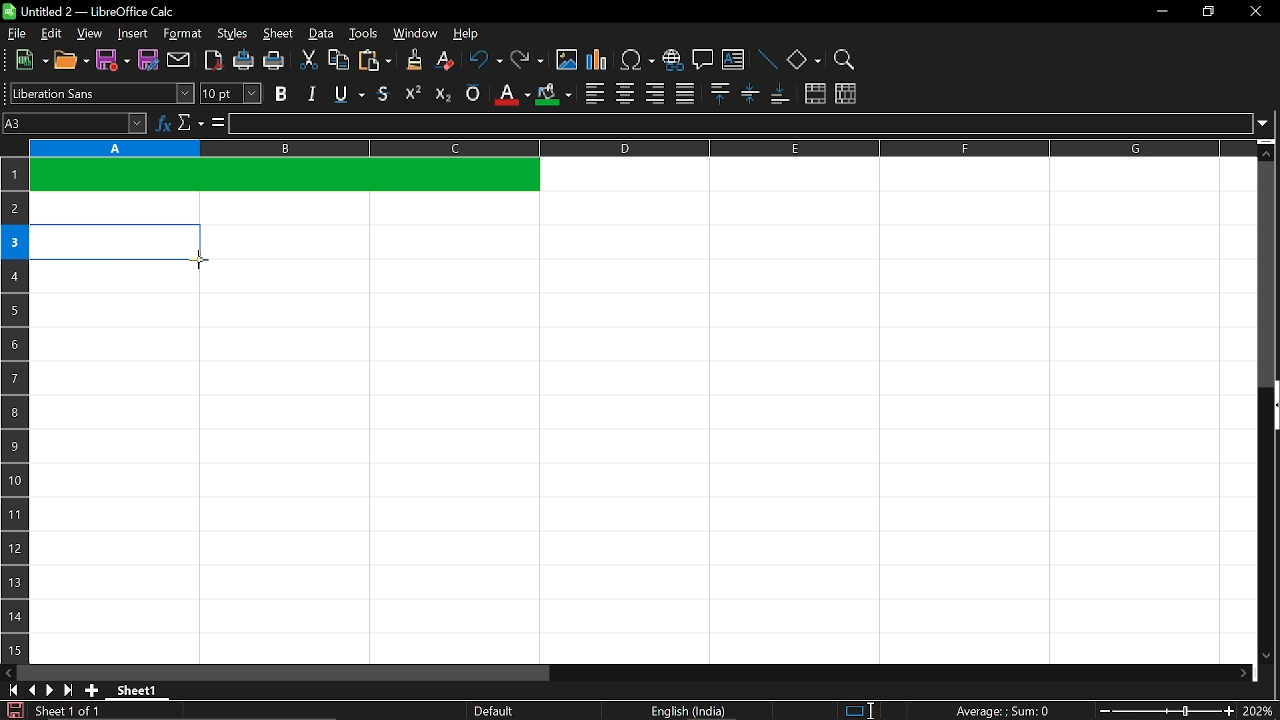 This screenshot has height=720, width=1280. I want to click on insert symbol, so click(638, 59).